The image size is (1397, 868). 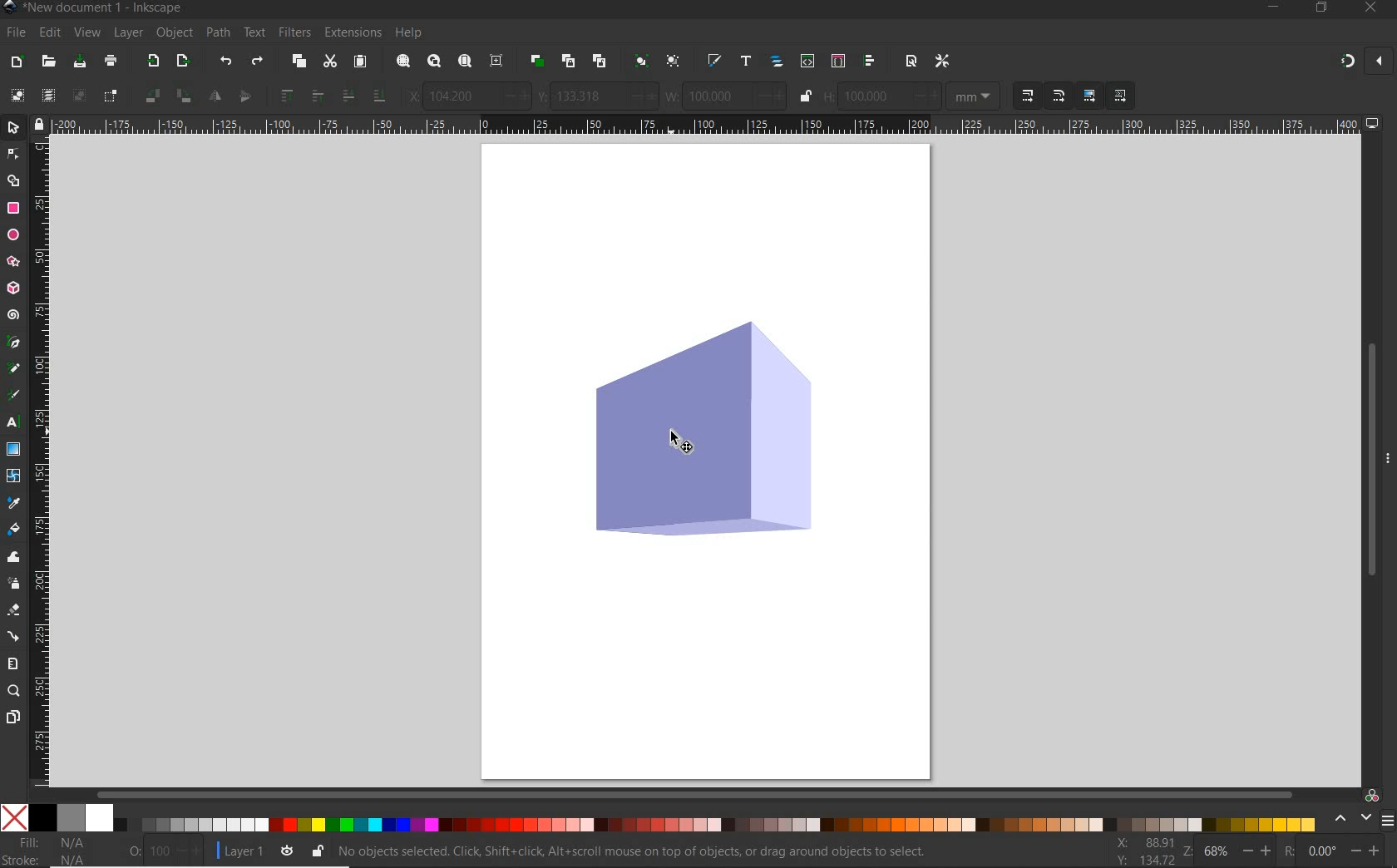 What do you see at coordinates (642, 96) in the screenshot?
I see `increase/decrease` at bounding box center [642, 96].